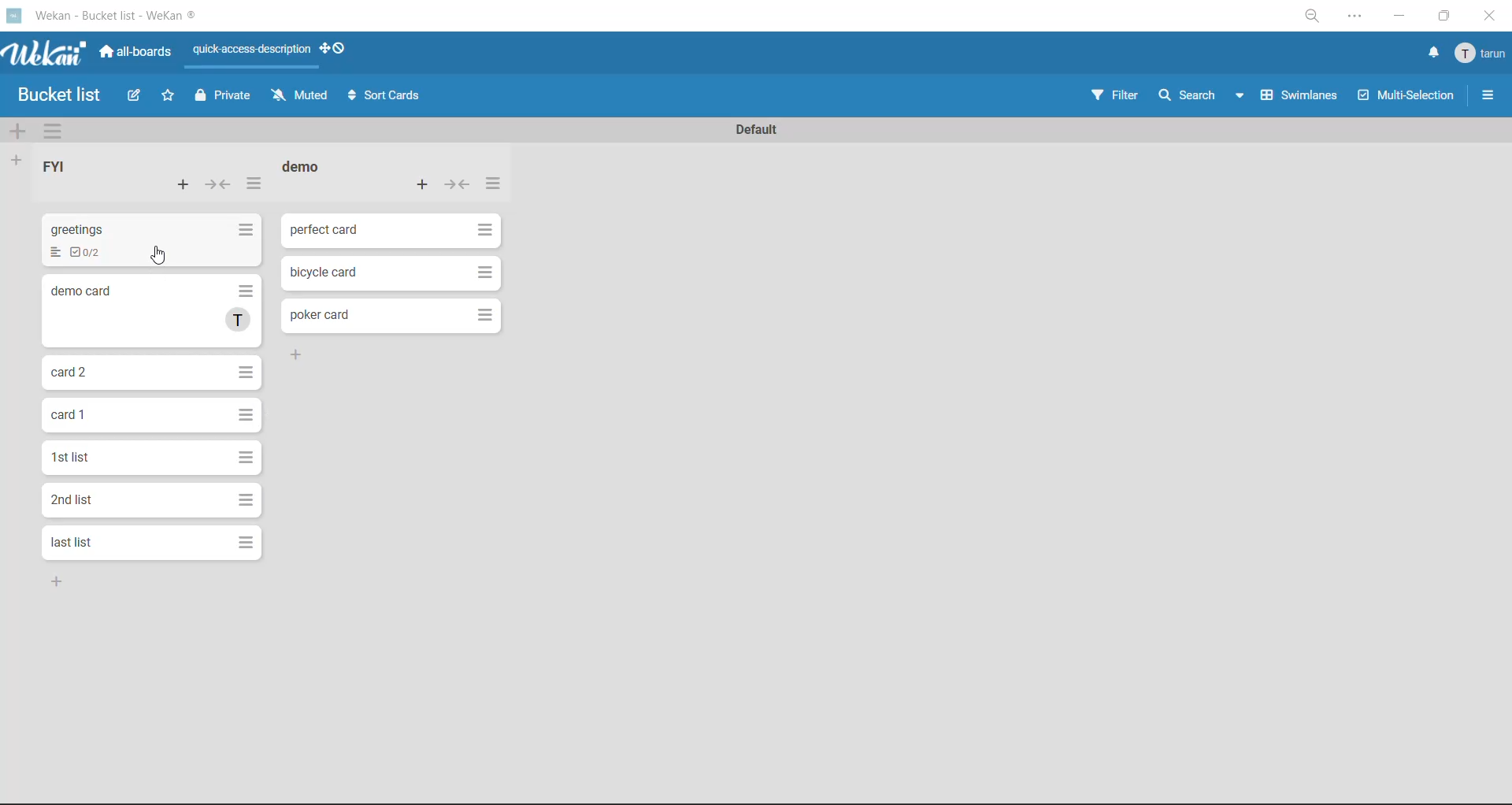 This screenshot has width=1512, height=805. What do you see at coordinates (457, 187) in the screenshot?
I see `collapse` at bounding box center [457, 187].